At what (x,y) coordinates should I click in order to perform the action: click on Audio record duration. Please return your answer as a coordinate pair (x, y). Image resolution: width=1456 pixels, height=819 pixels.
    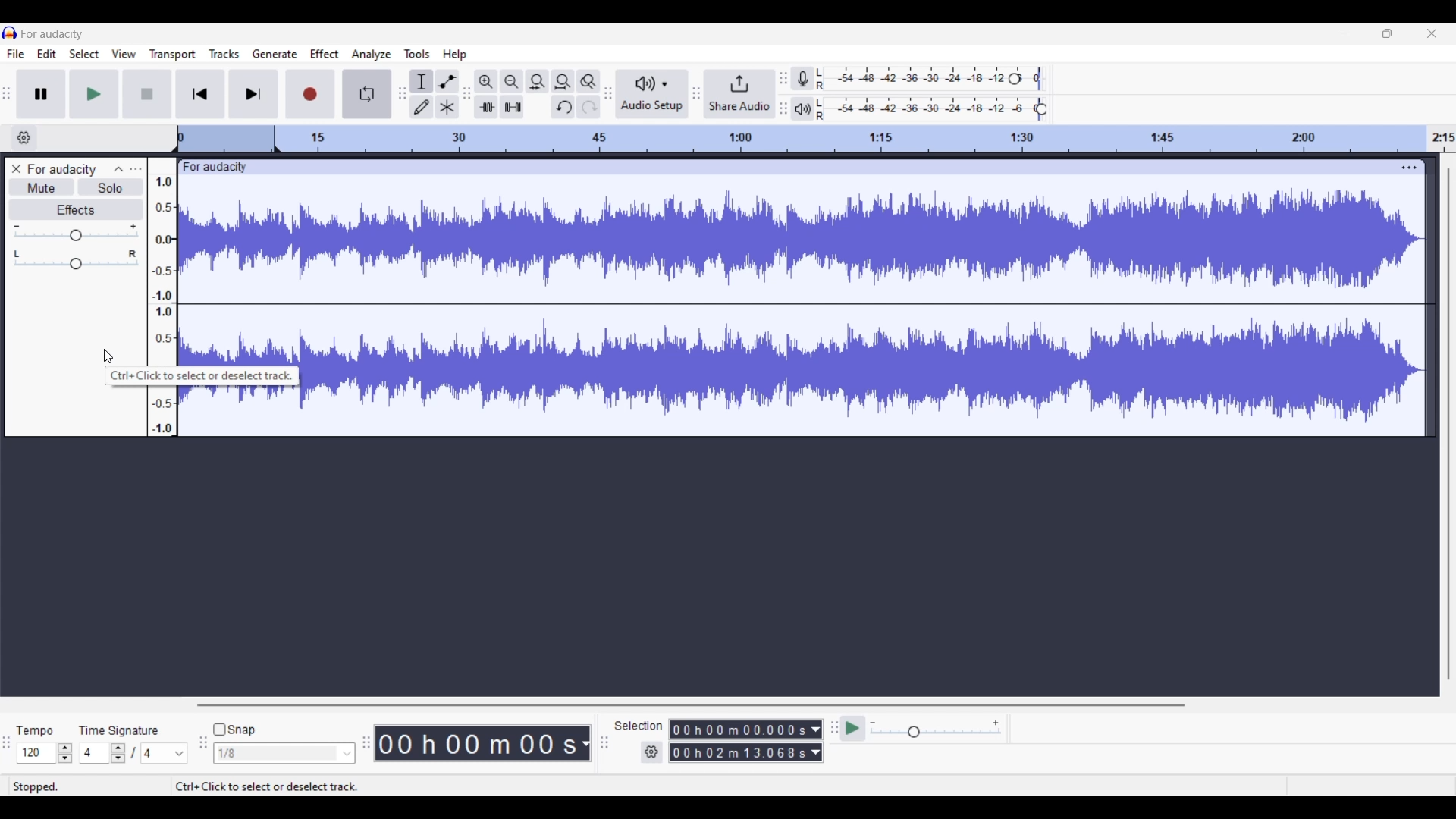
    Looking at the image, I should click on (585, 744).